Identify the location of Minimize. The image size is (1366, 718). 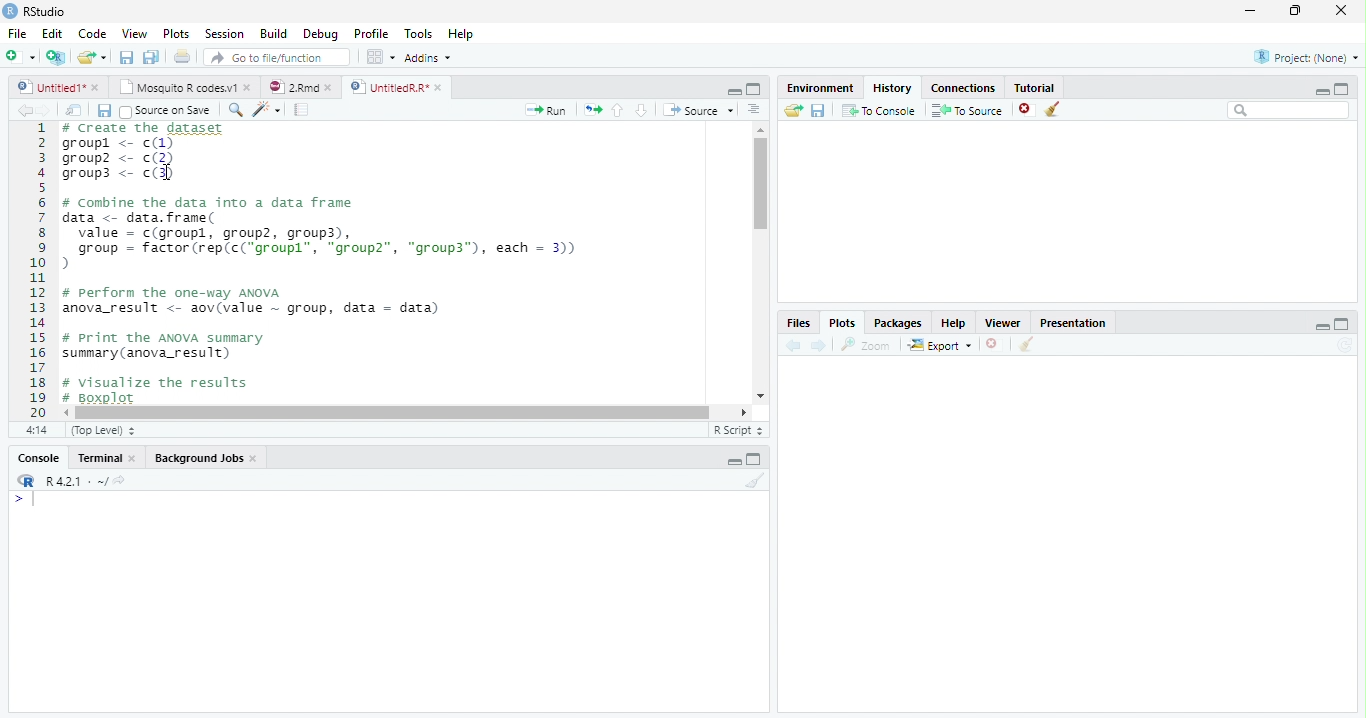
(731, 90).